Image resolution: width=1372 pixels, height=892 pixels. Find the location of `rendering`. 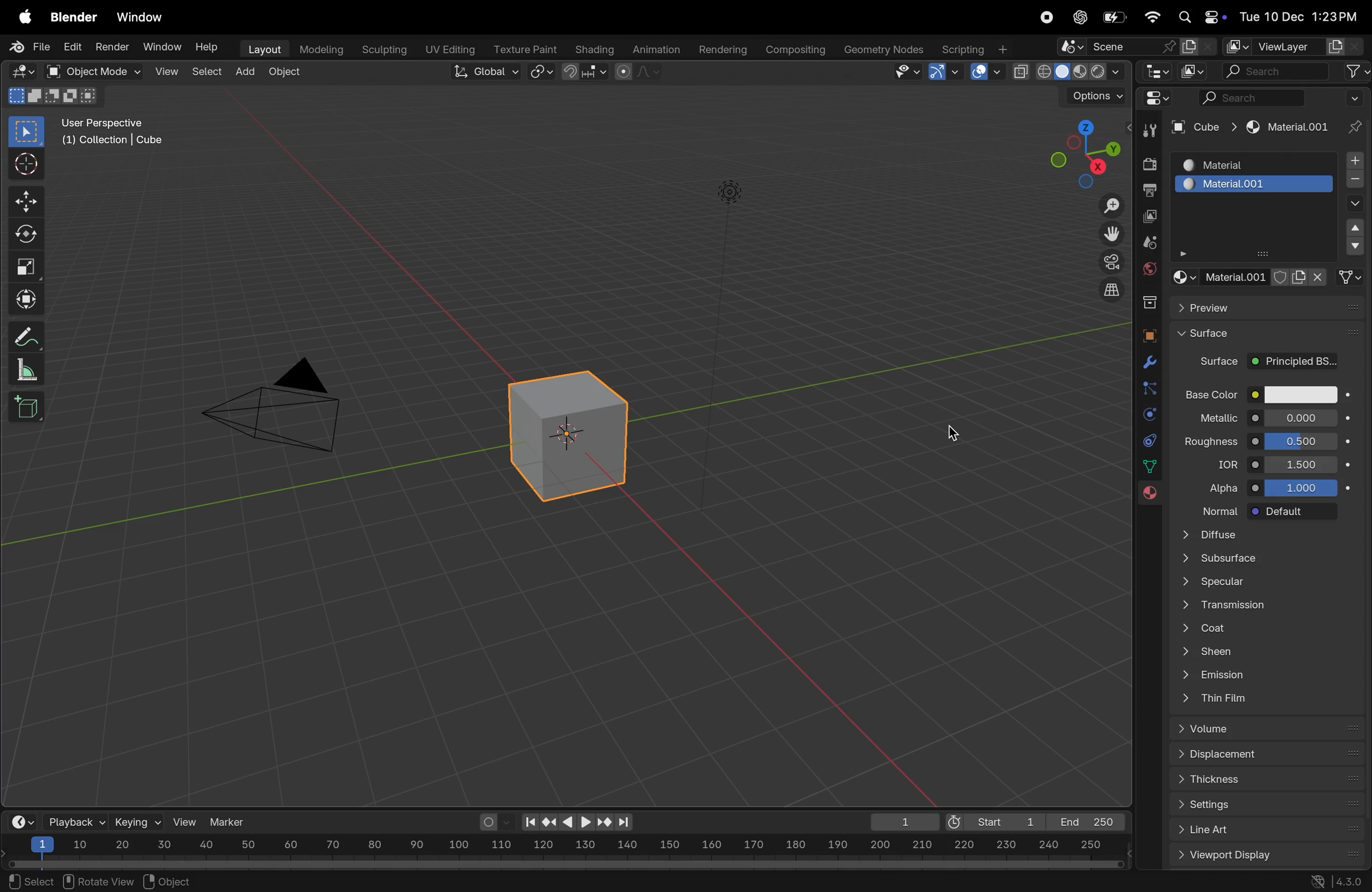

rendering is located at coordinates (719, 48).